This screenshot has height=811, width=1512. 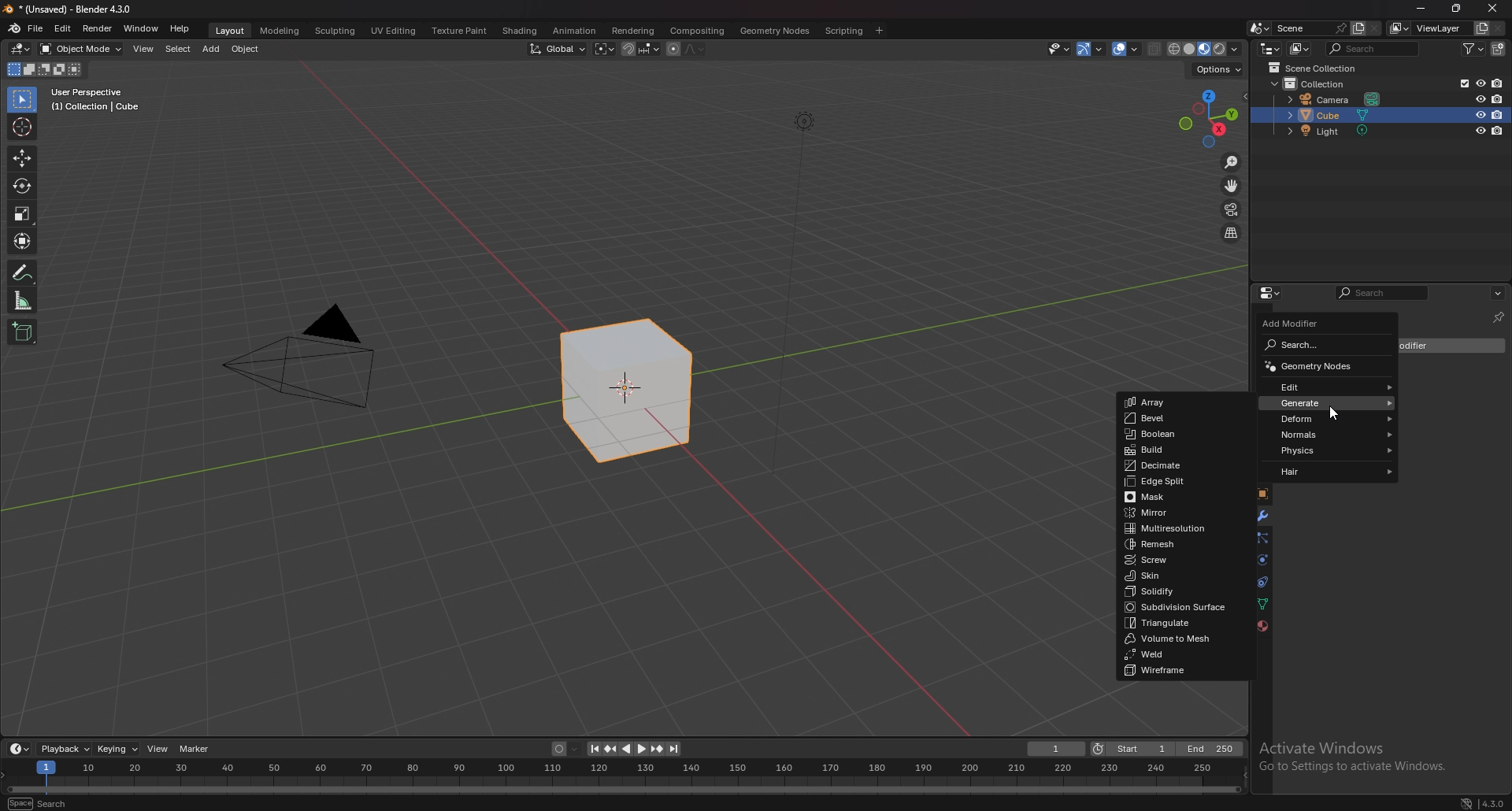 What do you see at coordinates (1210, 119) in the screenshot?
I see `use a preset viewport` at bounding box center [1210, 119].